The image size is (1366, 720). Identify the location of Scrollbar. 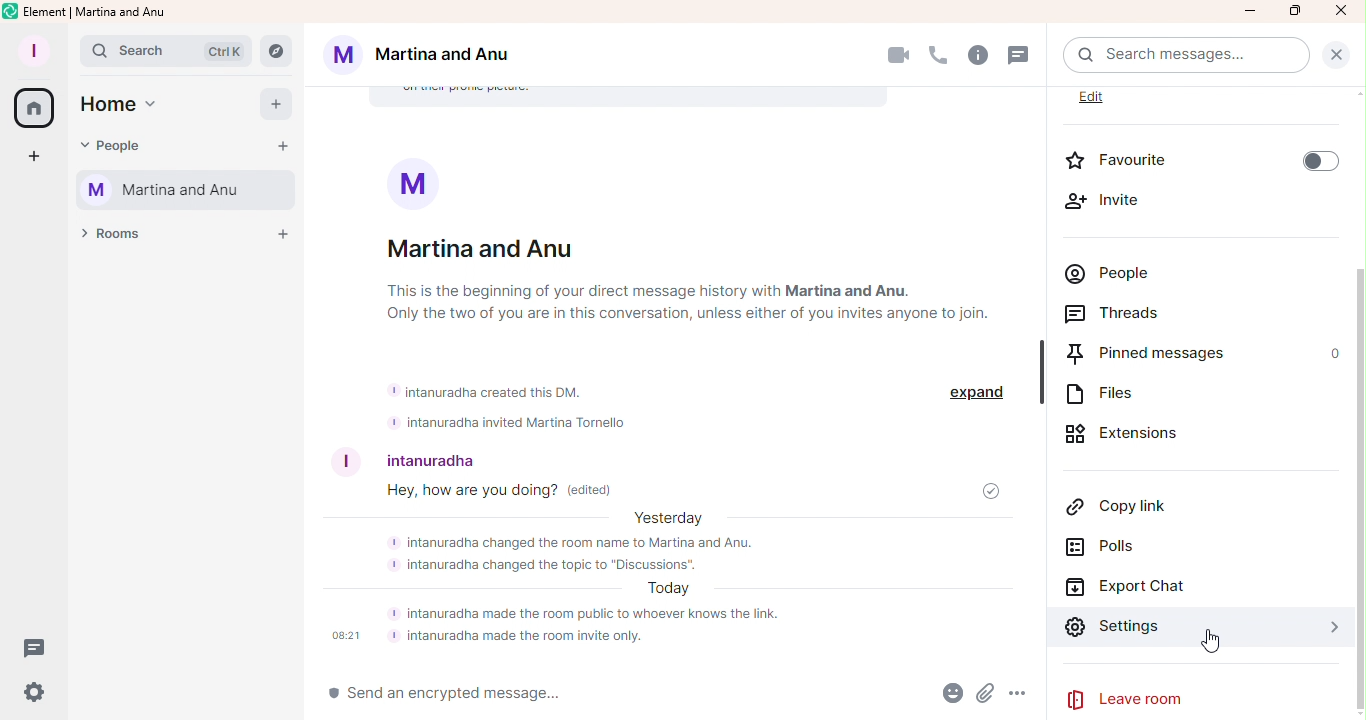
(1356, 423).